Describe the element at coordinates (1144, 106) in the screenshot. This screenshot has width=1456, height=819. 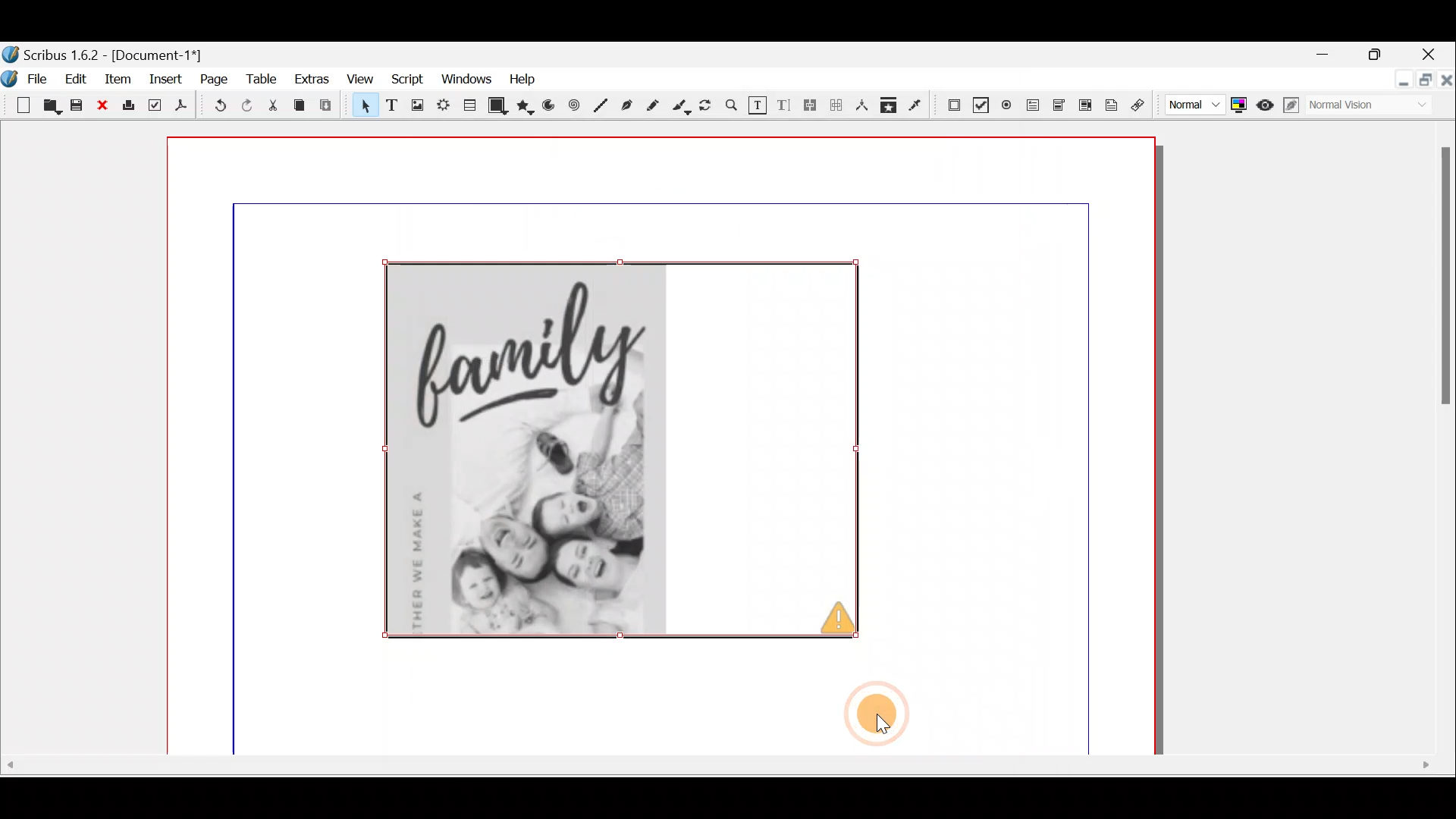
I see `Link annotation` at that location.